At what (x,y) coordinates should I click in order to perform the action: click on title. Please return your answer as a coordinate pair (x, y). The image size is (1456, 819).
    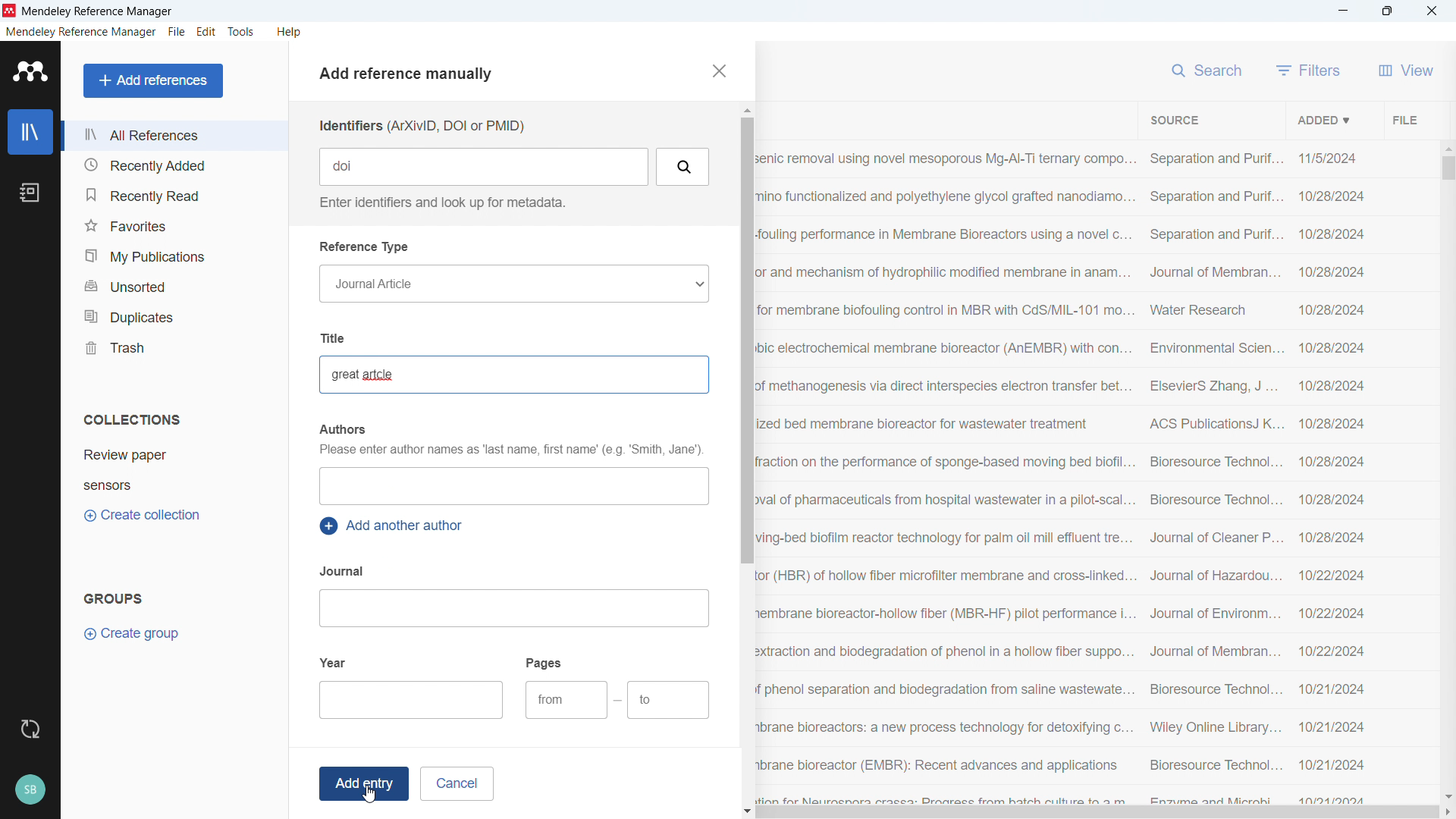
    Looking at the image, I should click on (99, 12).